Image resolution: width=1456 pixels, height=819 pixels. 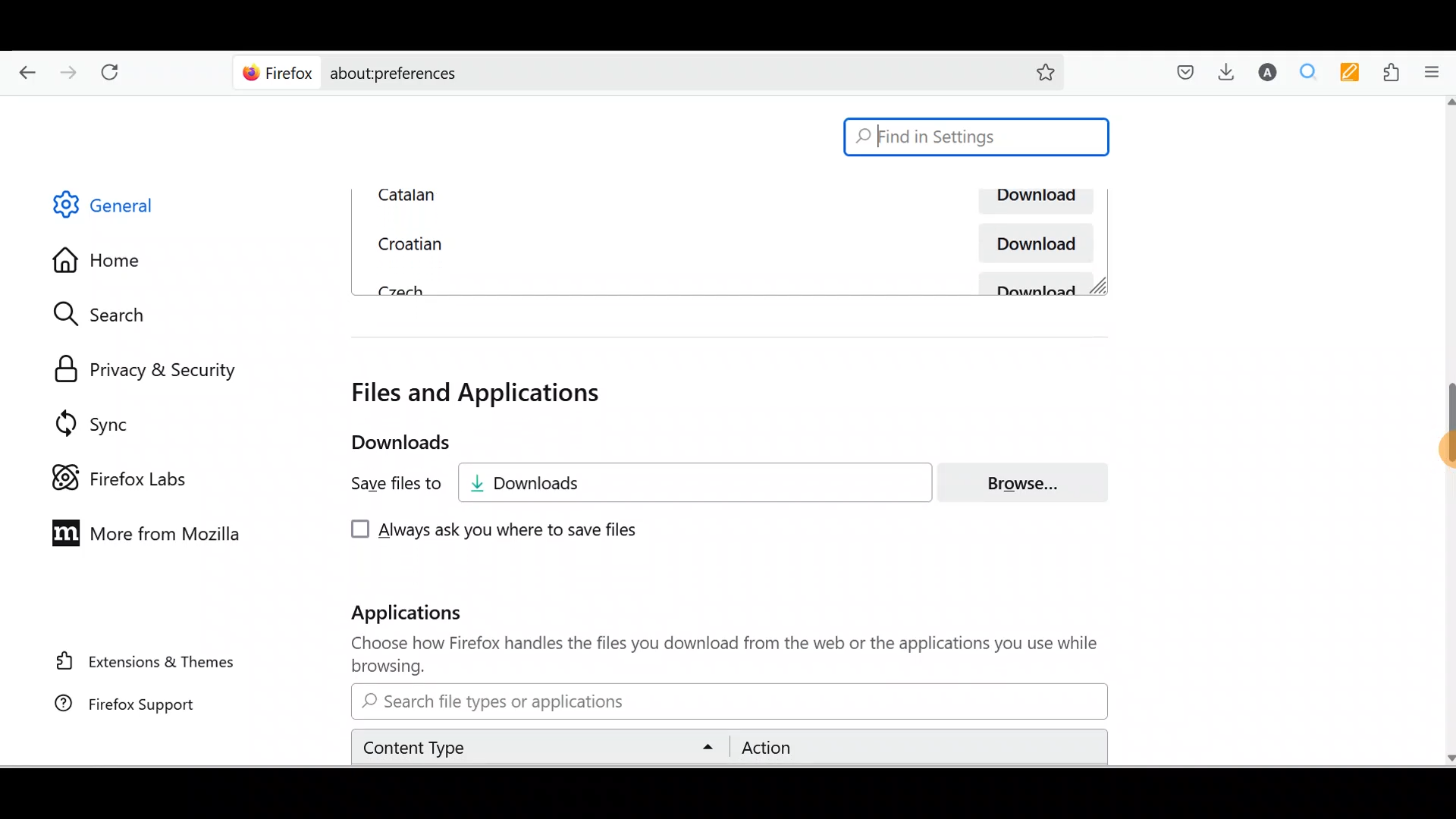 What do you see at coordinates (1032, 482) in the screenshot?
I see `Browse` at bounding box center [1032, 482].